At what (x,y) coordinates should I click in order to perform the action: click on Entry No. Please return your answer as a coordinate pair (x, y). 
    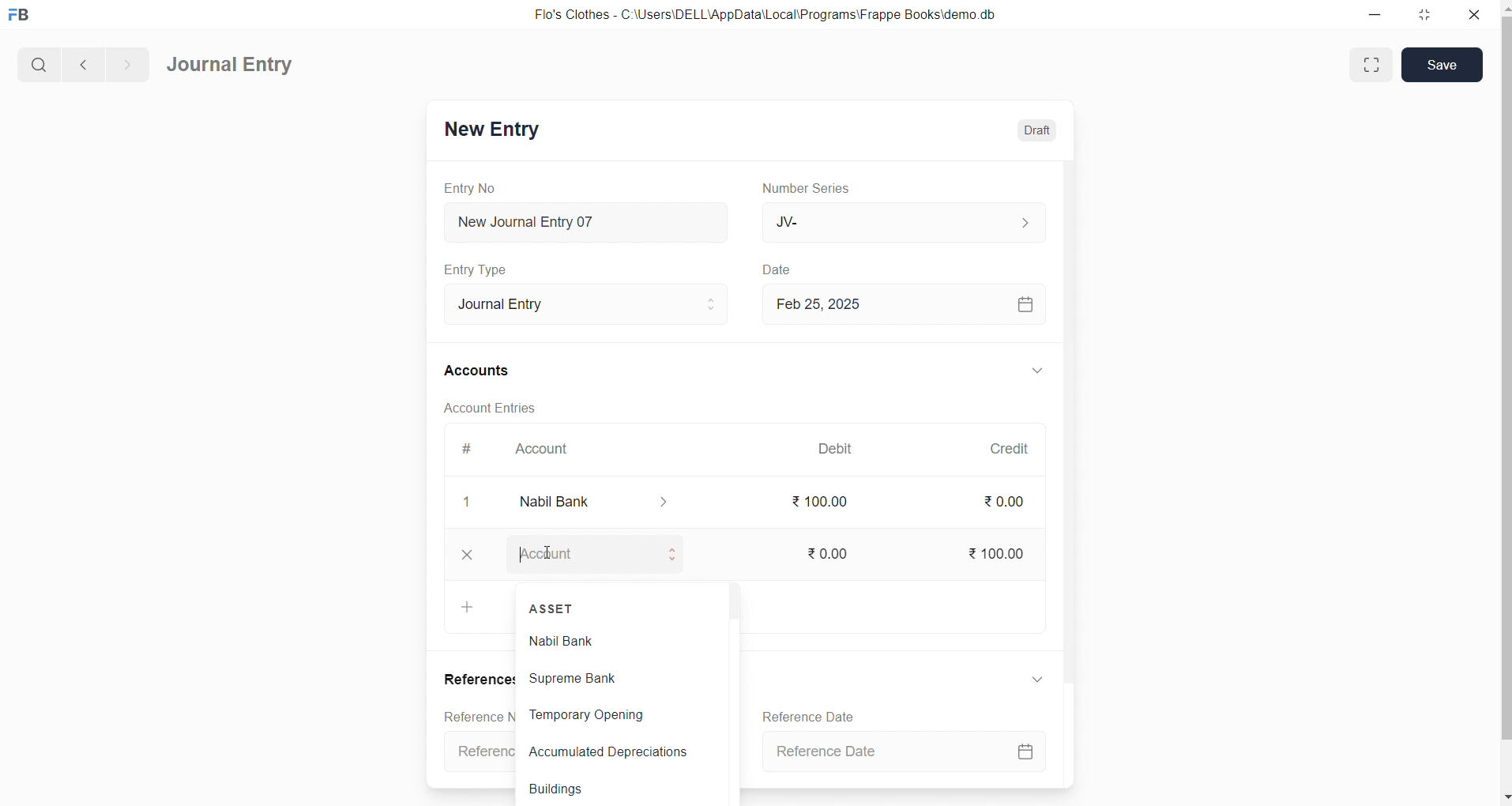
    Looking at the image, I should click on (473, 187).